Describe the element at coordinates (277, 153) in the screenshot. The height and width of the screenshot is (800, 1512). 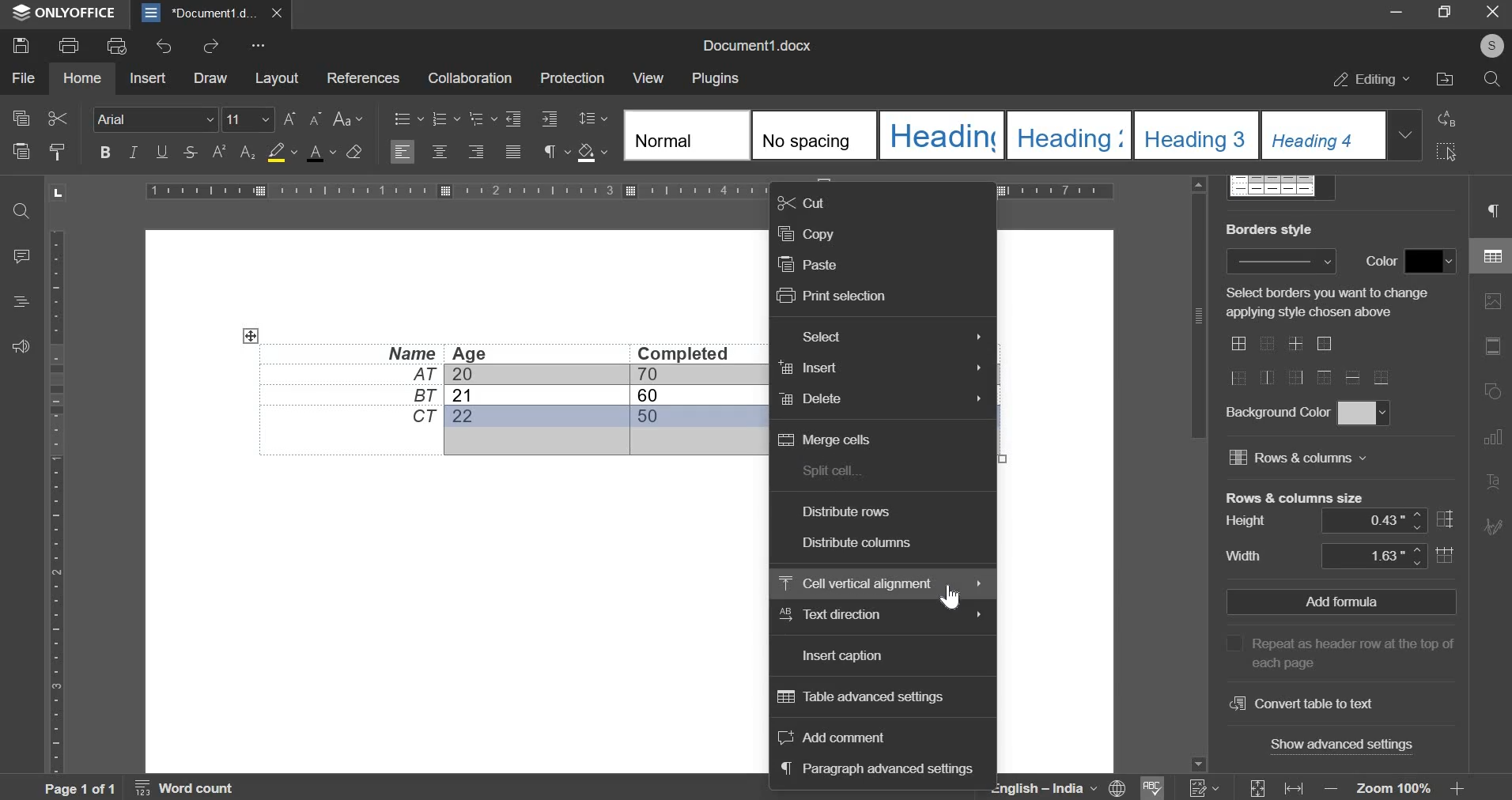
I see `background color` at that location.